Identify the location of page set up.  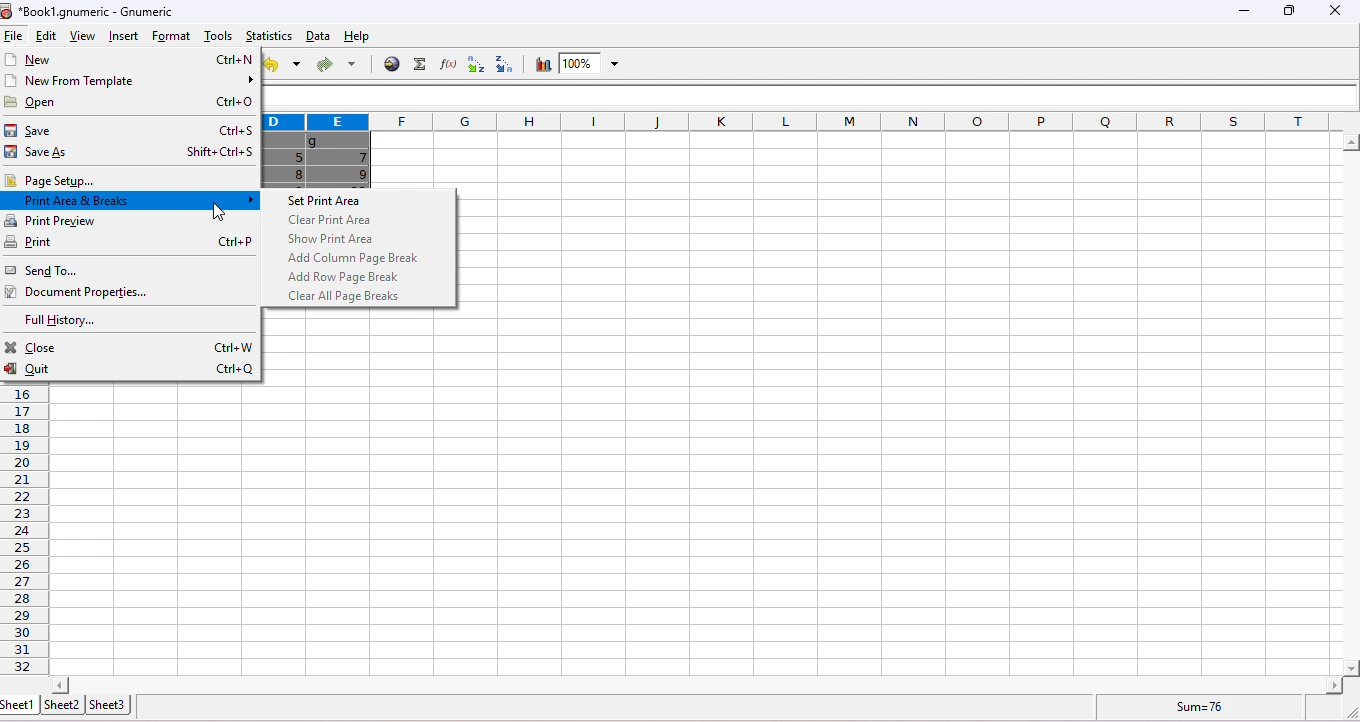
(129, 180).